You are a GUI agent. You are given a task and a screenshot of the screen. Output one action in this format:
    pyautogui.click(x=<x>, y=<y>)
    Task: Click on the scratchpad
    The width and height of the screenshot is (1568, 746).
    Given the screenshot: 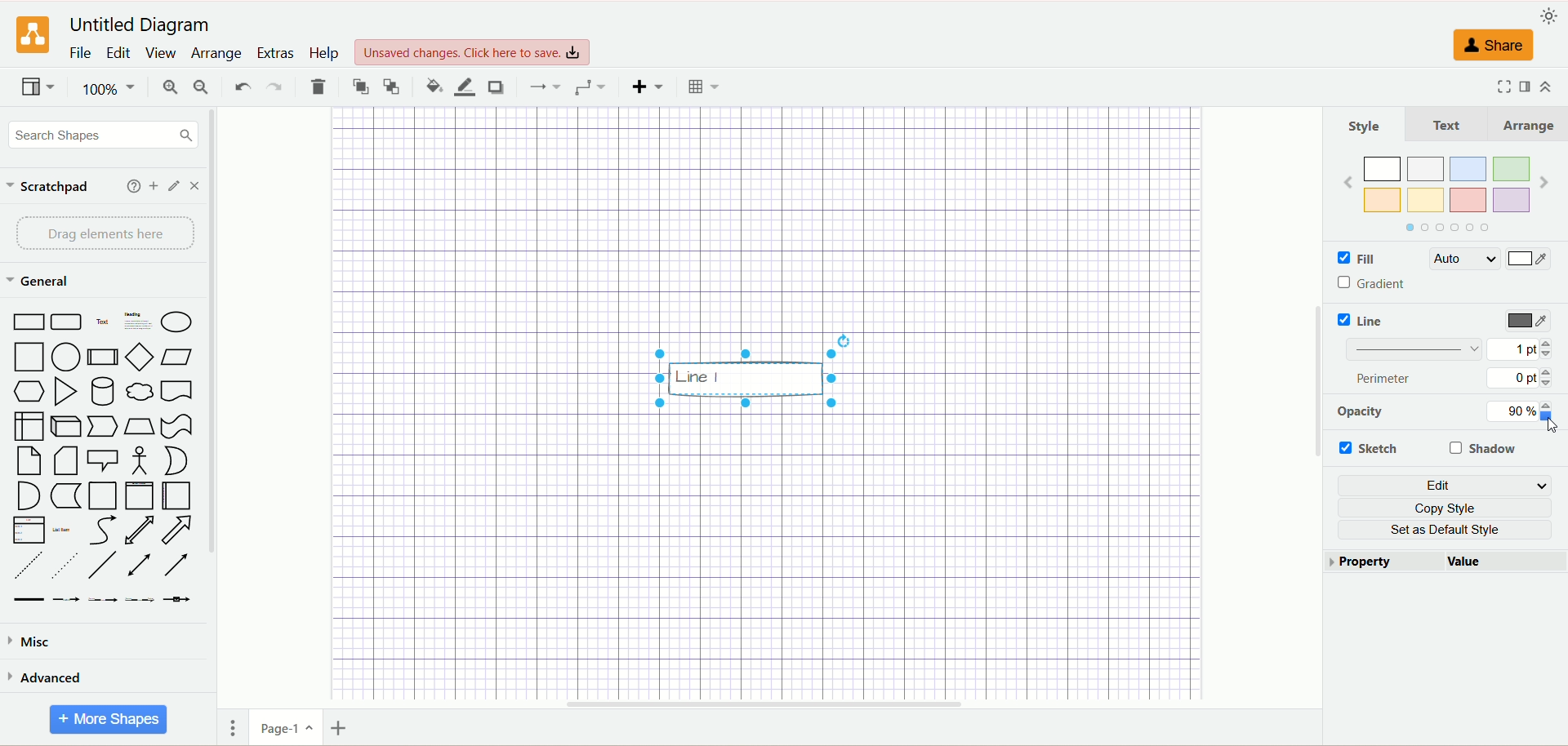 What is the action you would take?
    pyautogui.click(x=49, y=187)
    